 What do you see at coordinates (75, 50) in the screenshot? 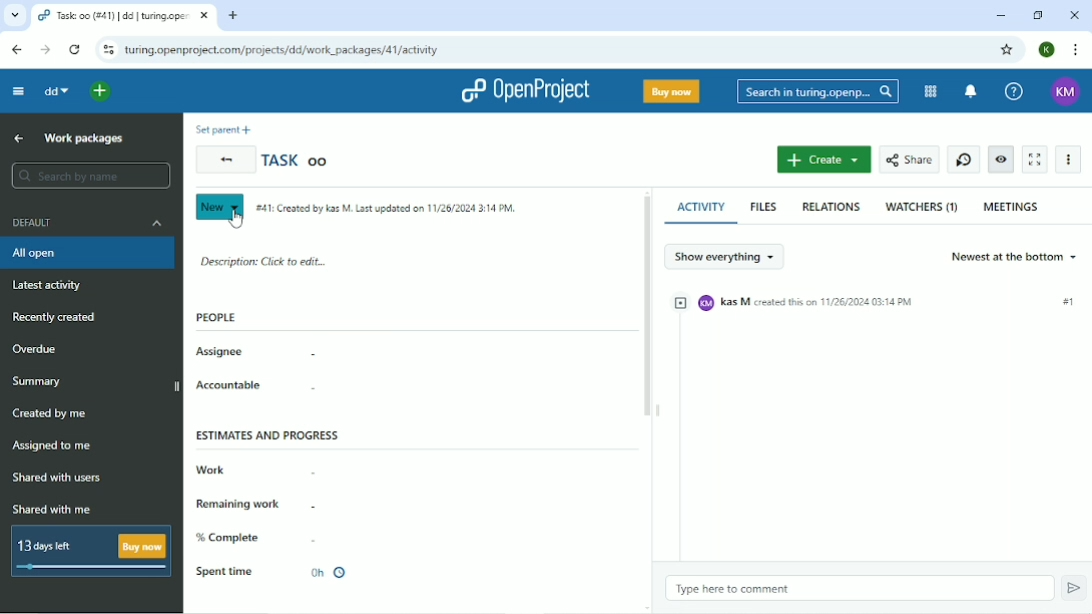
I see `Reload this page` at bounding box center [75, 50].